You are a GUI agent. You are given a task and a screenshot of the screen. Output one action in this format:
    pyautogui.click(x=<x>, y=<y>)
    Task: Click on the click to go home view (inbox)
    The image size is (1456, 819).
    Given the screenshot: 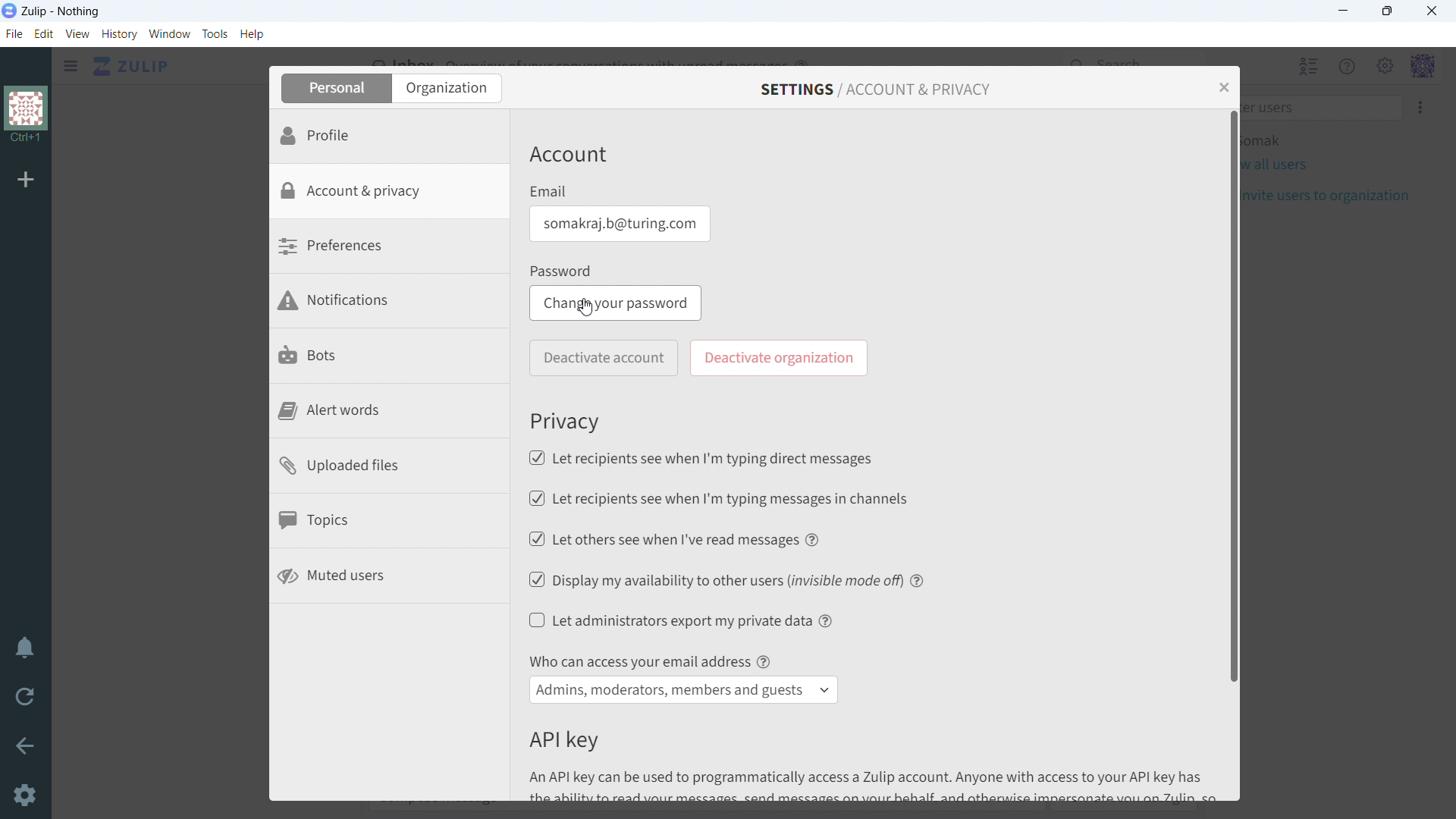 What is the action you would take?
    pyautogui.click(x=132, y=65)
    